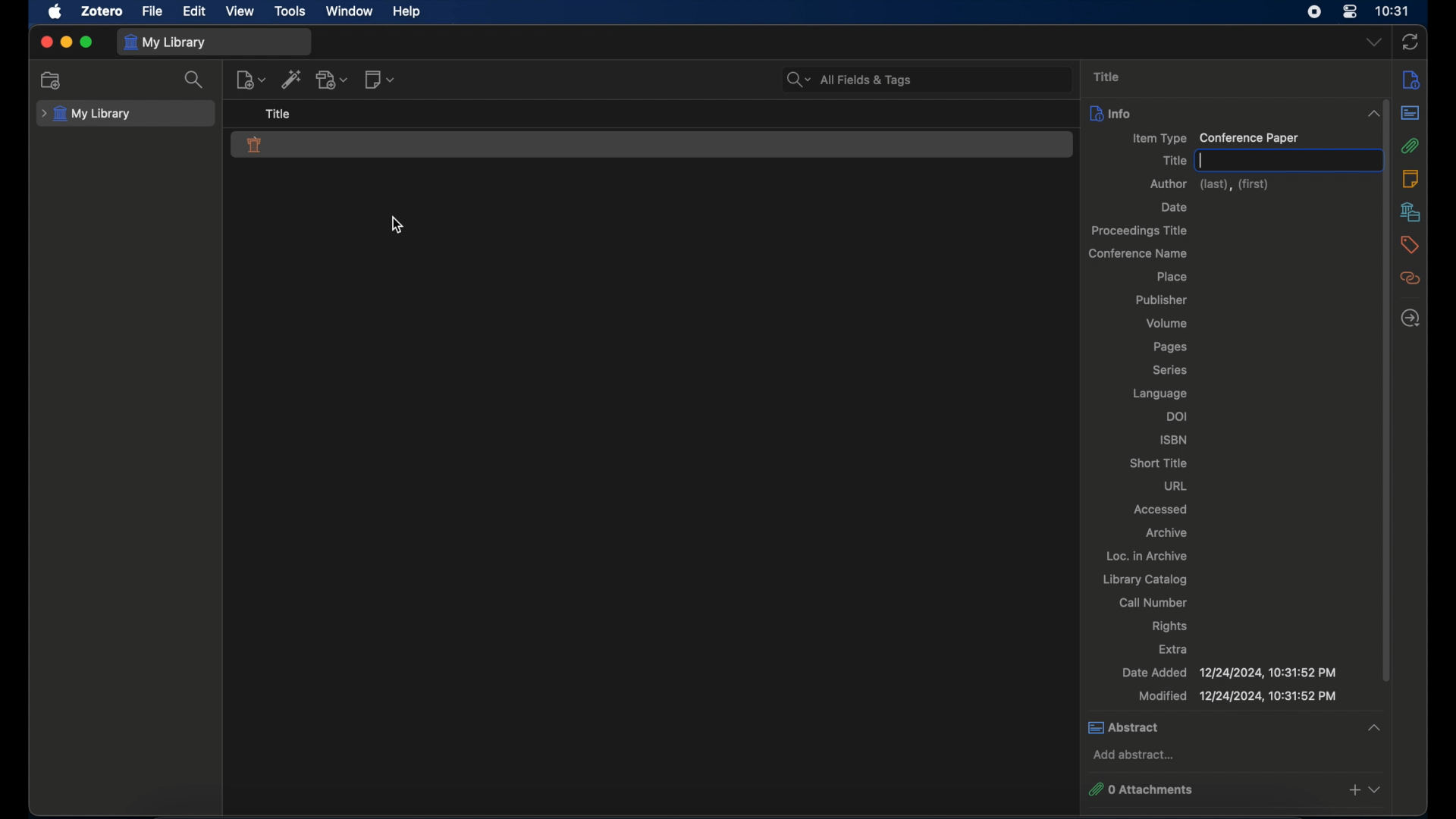 The image size is (1456, 819). What do you see at coordinates (152, 12) in the screenshot?
I see `file` at bounding box center [152, 12].